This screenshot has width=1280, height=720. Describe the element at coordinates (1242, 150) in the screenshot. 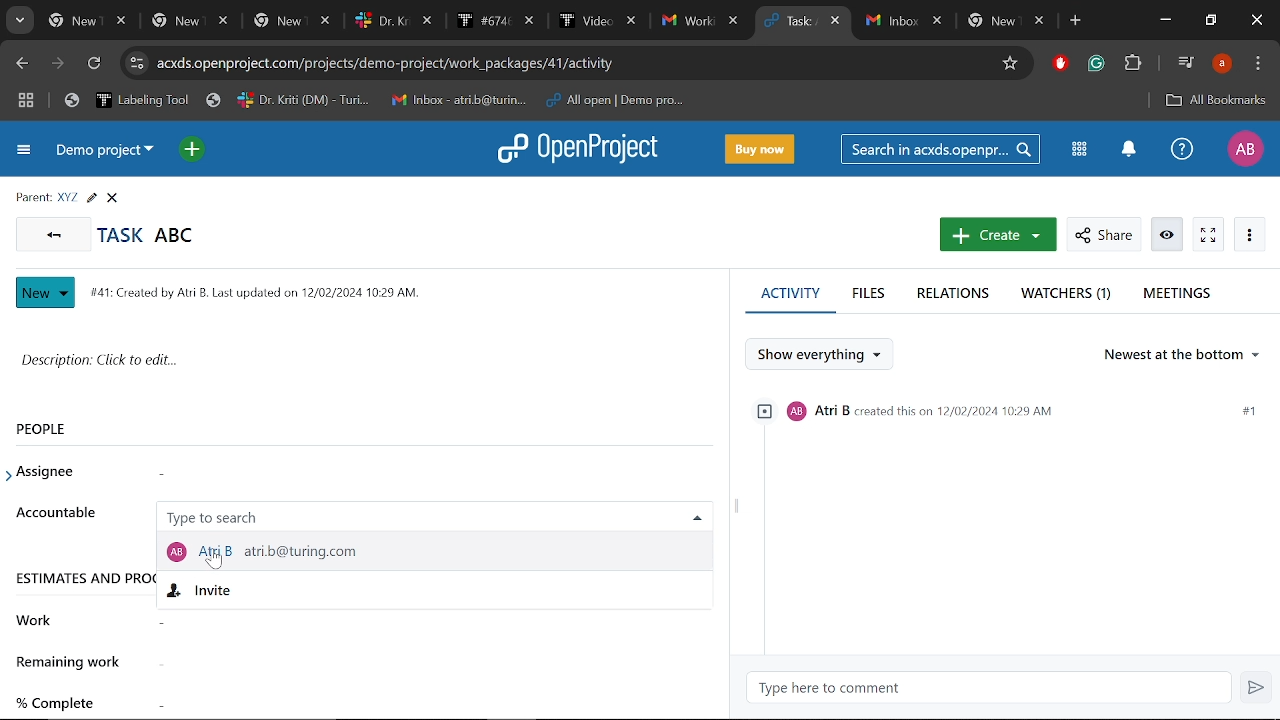

I see `Profile` at that location.